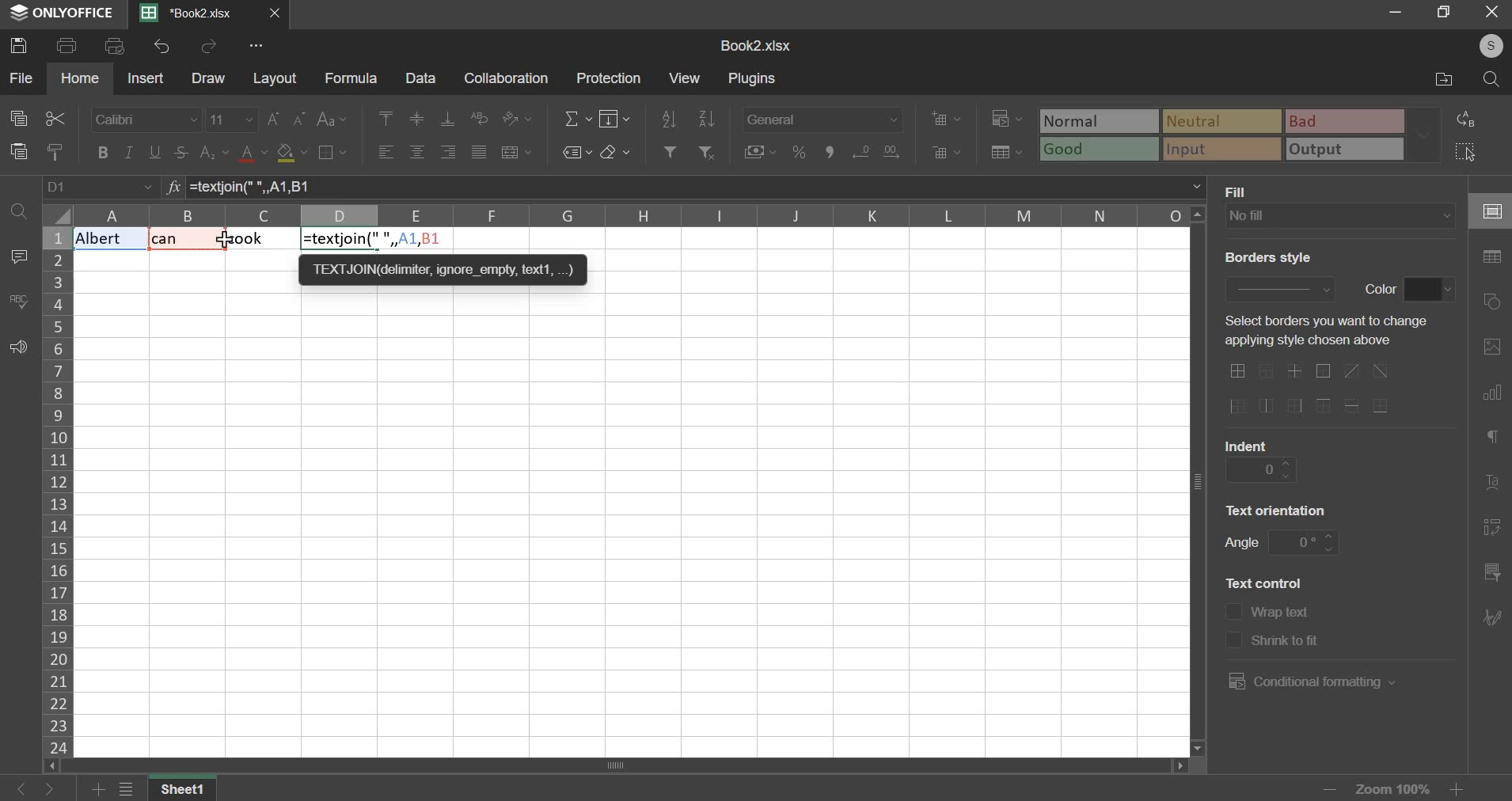  What do you see at coordinates (947, 152) in the screenshot?
I see `delete cells` at bounding box center [947, 152].